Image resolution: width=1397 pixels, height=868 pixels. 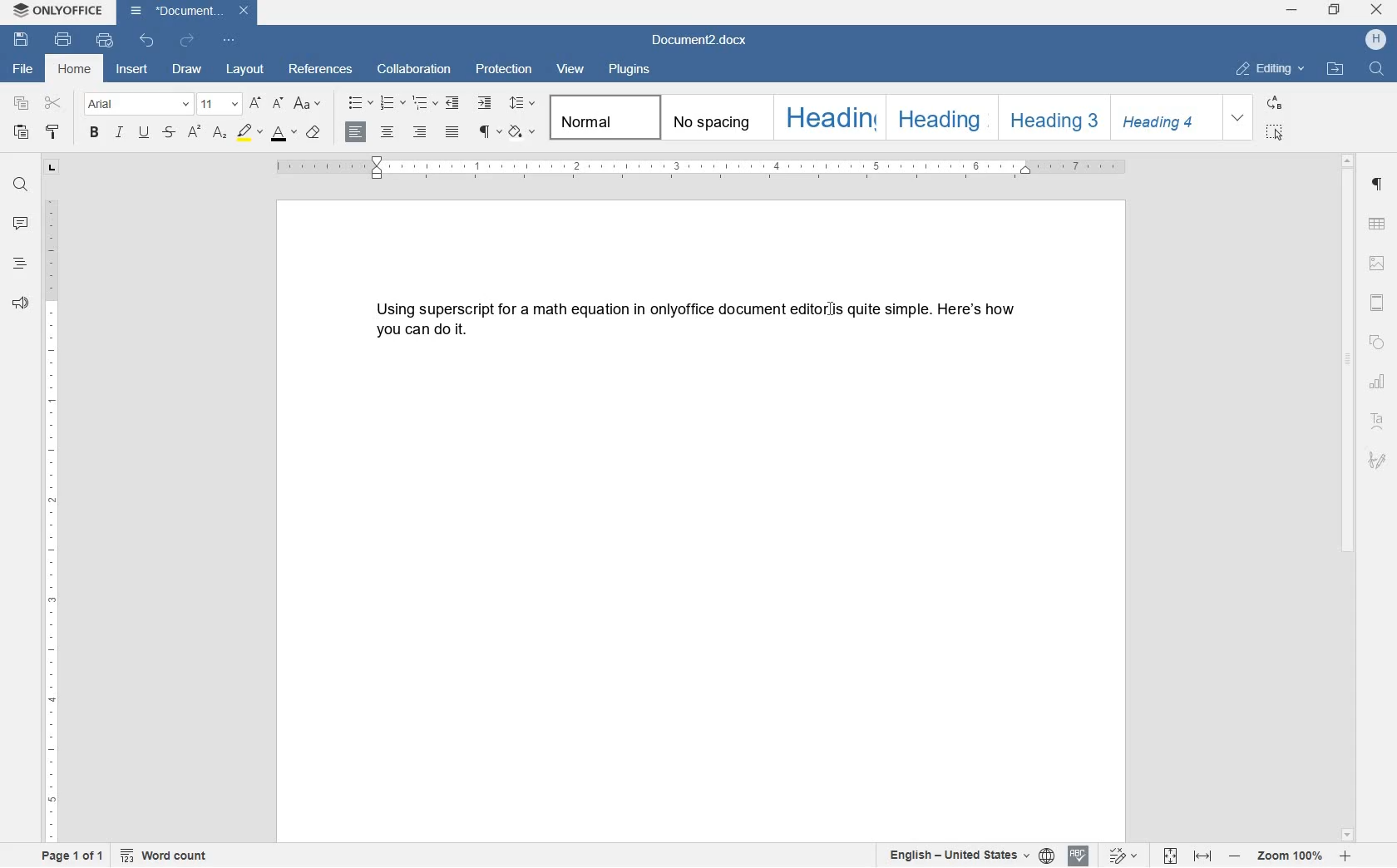 What do you see at coordinates (1272, 70) in the screenshot?
I see `EDITING` at bounding box center [1272, 70].